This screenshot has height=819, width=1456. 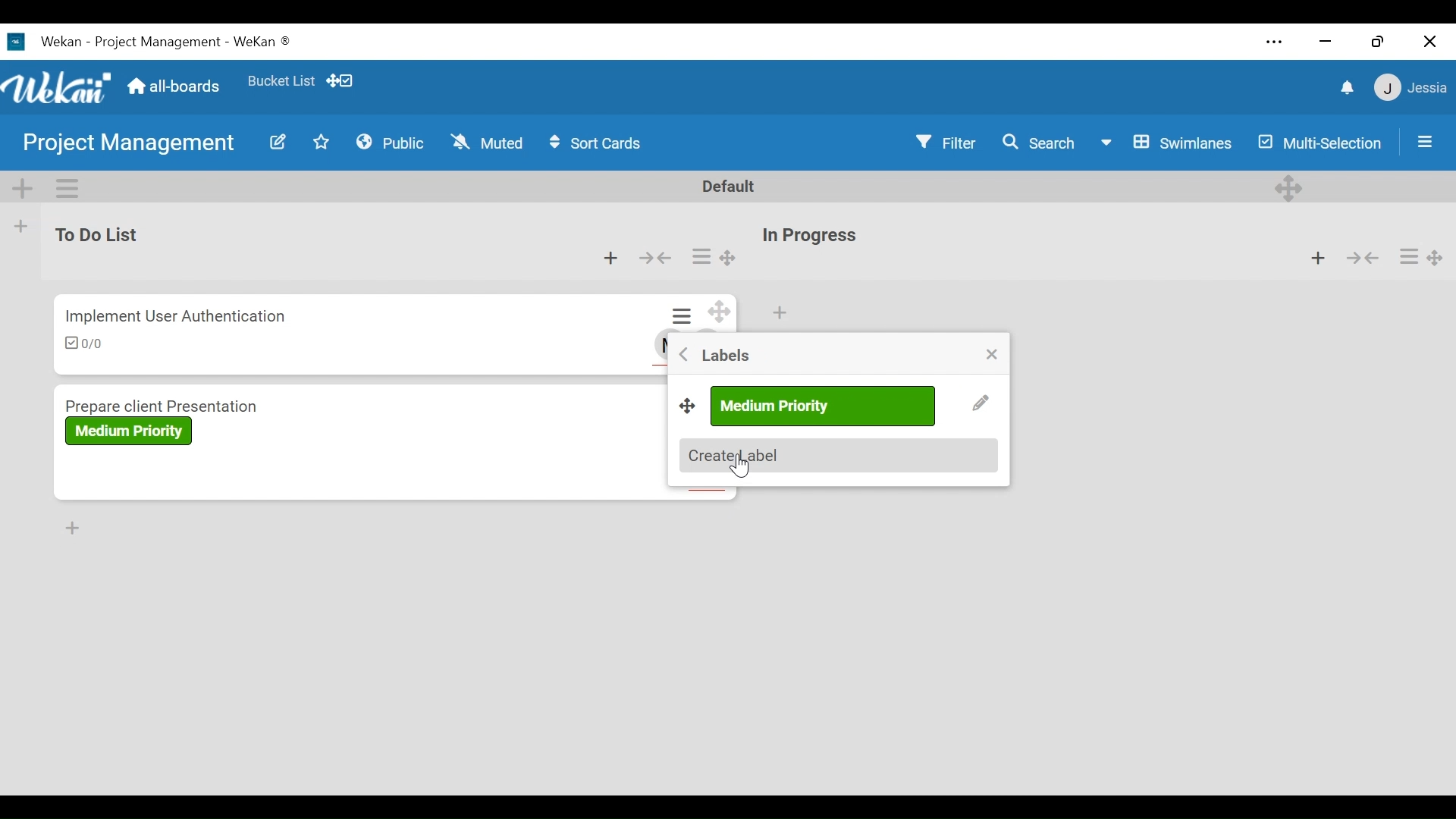 What do you see at coordinates (131, 145) in the screenshot?
I see `Board Name` at bounding box center [131, 145].